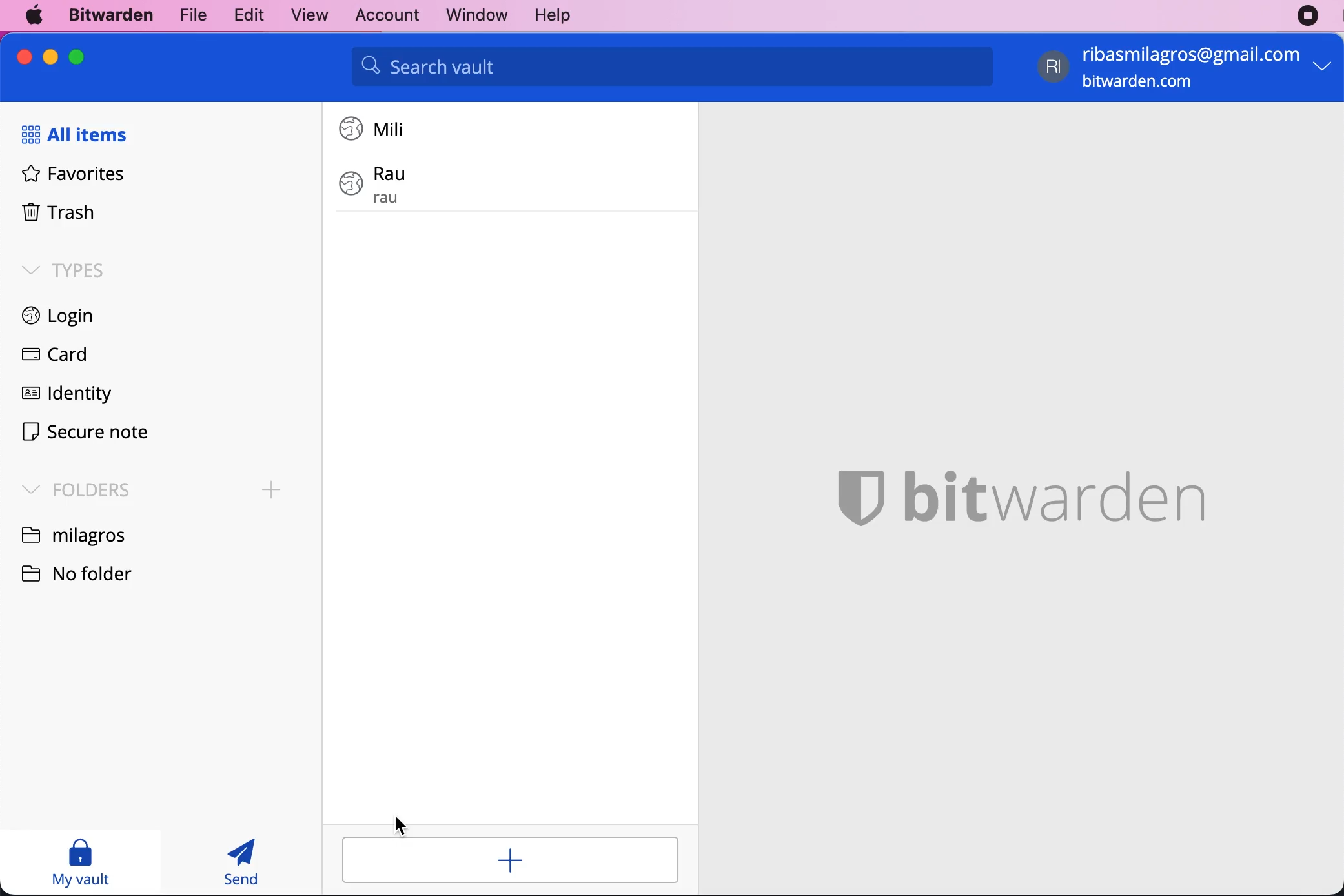 The image size is (1344, 896). What do you see at coordinates (87, 572) in the screenshot?
I see `no folder` at bounding box center [87, 572].